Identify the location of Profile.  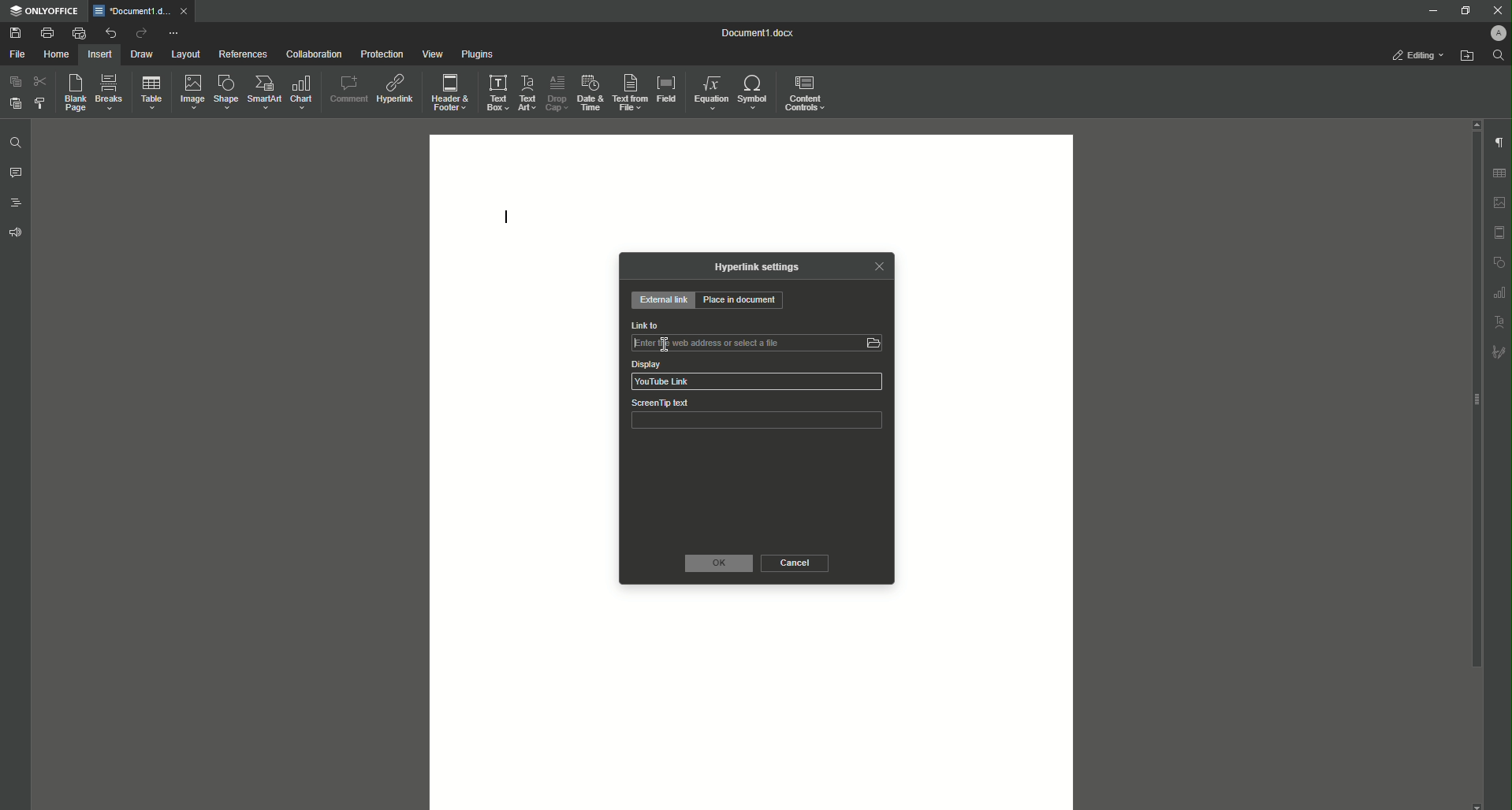
(1492, 33).